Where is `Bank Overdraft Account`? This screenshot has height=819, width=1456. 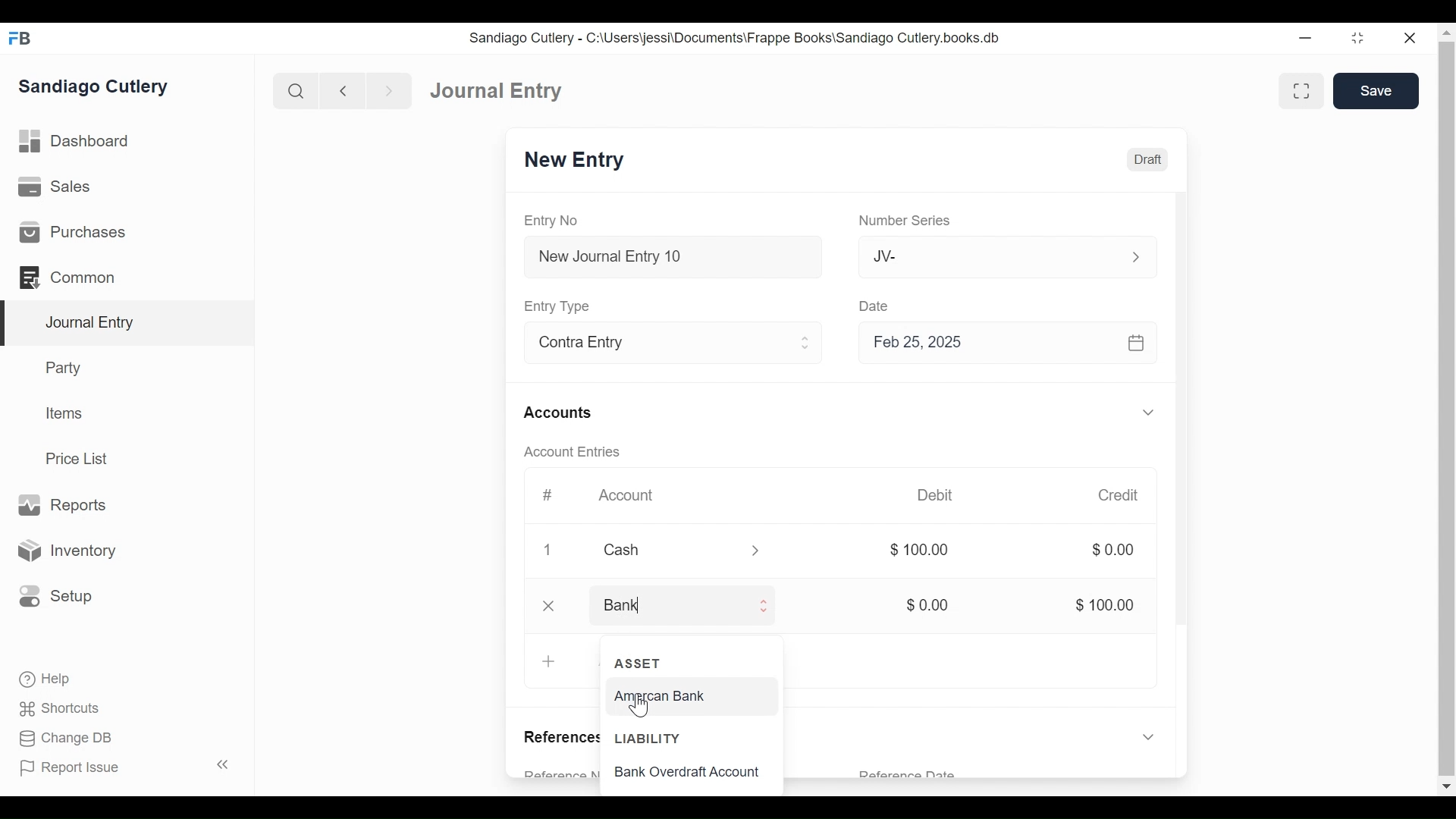 Bank Overdraft Account is located at coordinates (703, 774).